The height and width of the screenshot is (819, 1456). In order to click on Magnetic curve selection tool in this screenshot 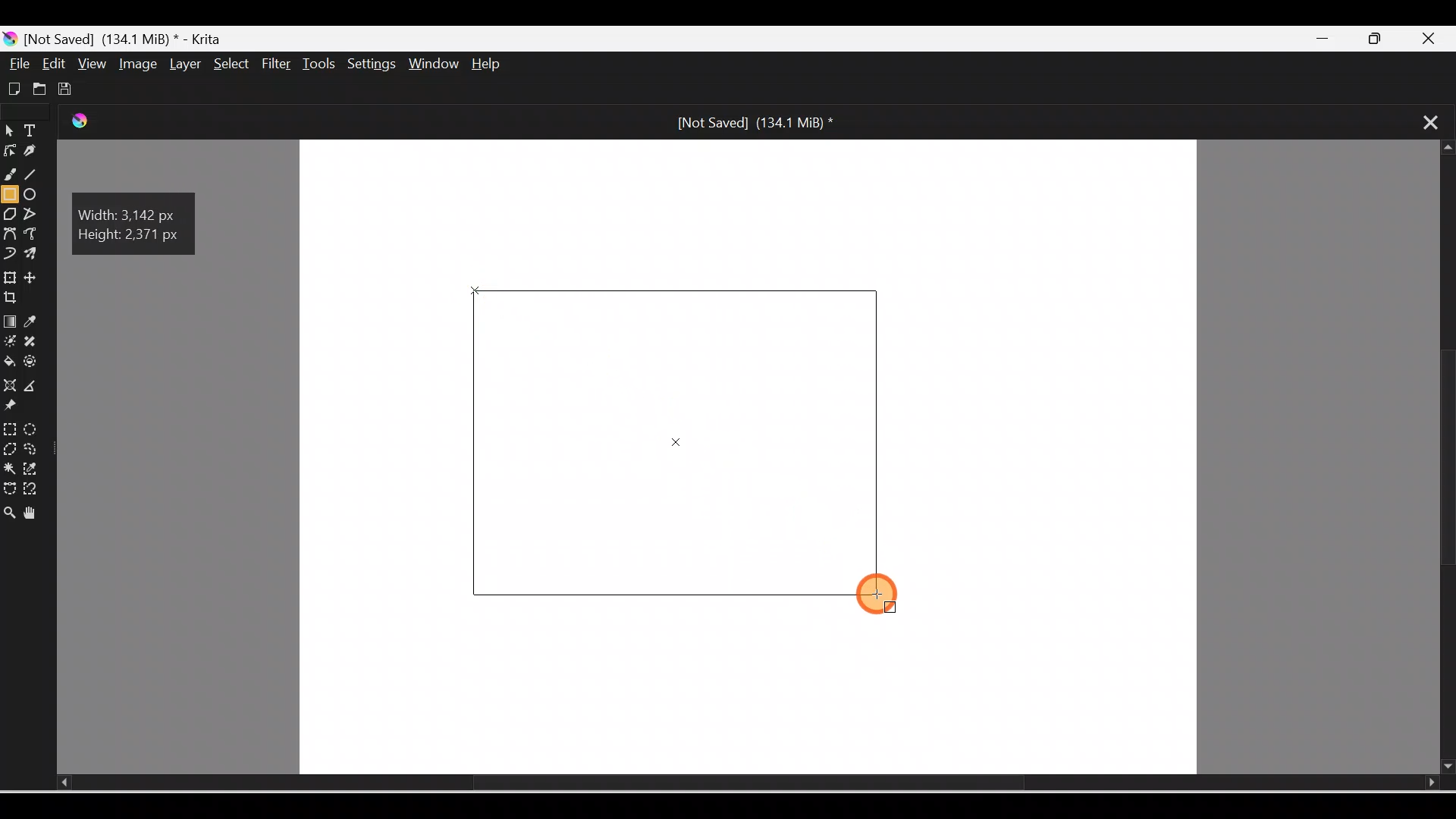, I will do `click(35, 490)`.